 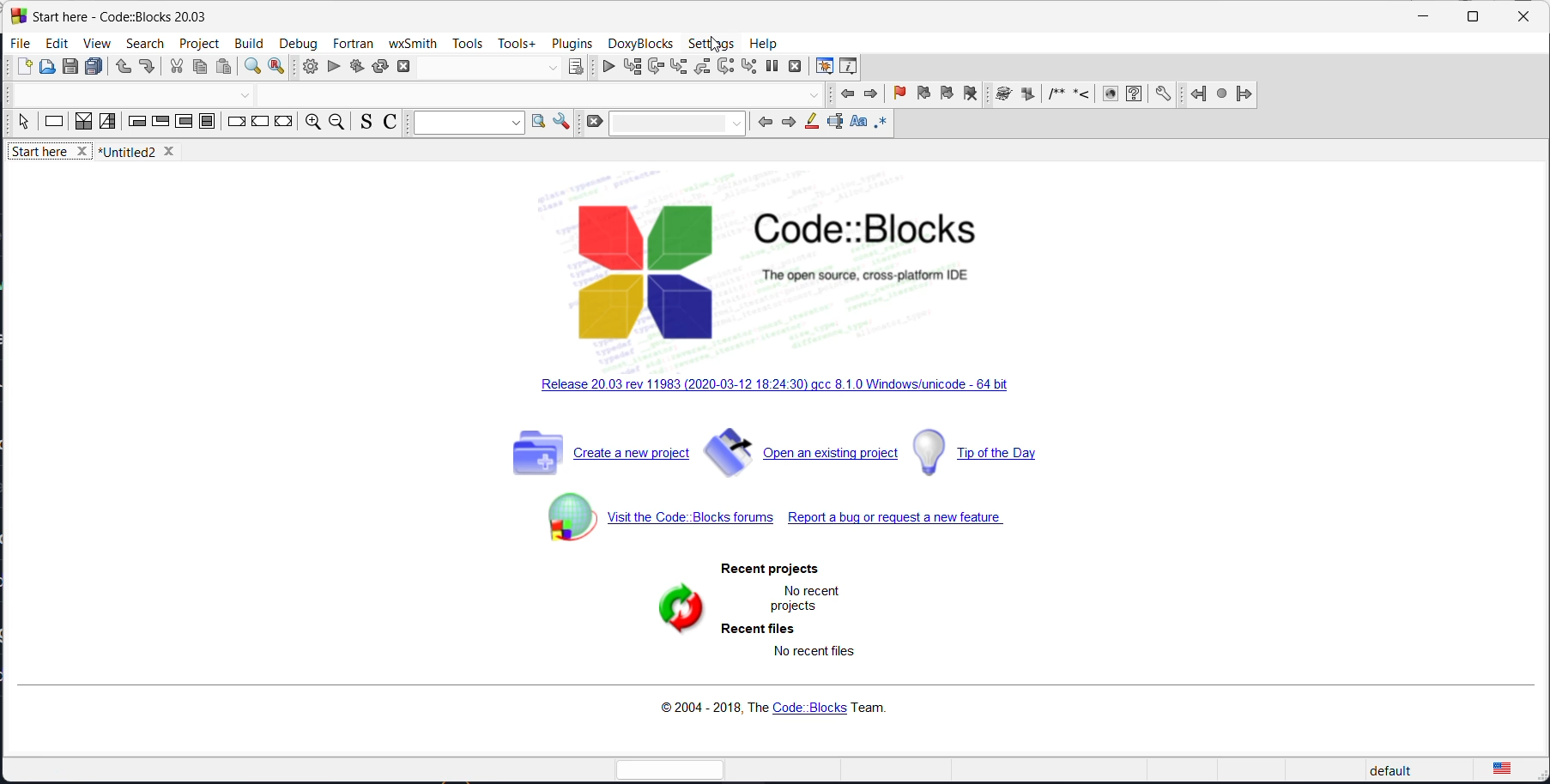 I want to click on option window, so click(x=538, y=124).